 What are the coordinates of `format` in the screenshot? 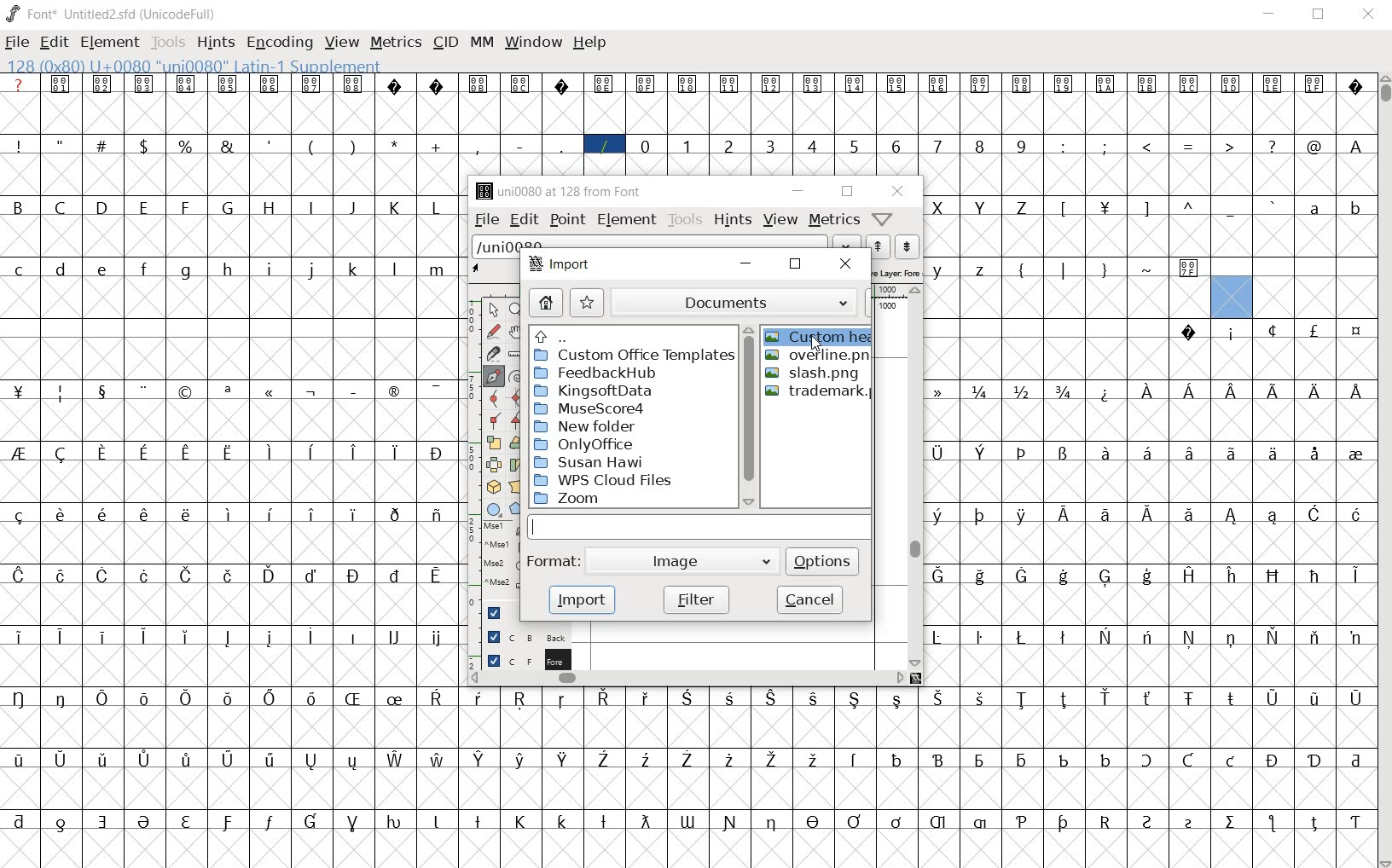 It's located at (651, 560).